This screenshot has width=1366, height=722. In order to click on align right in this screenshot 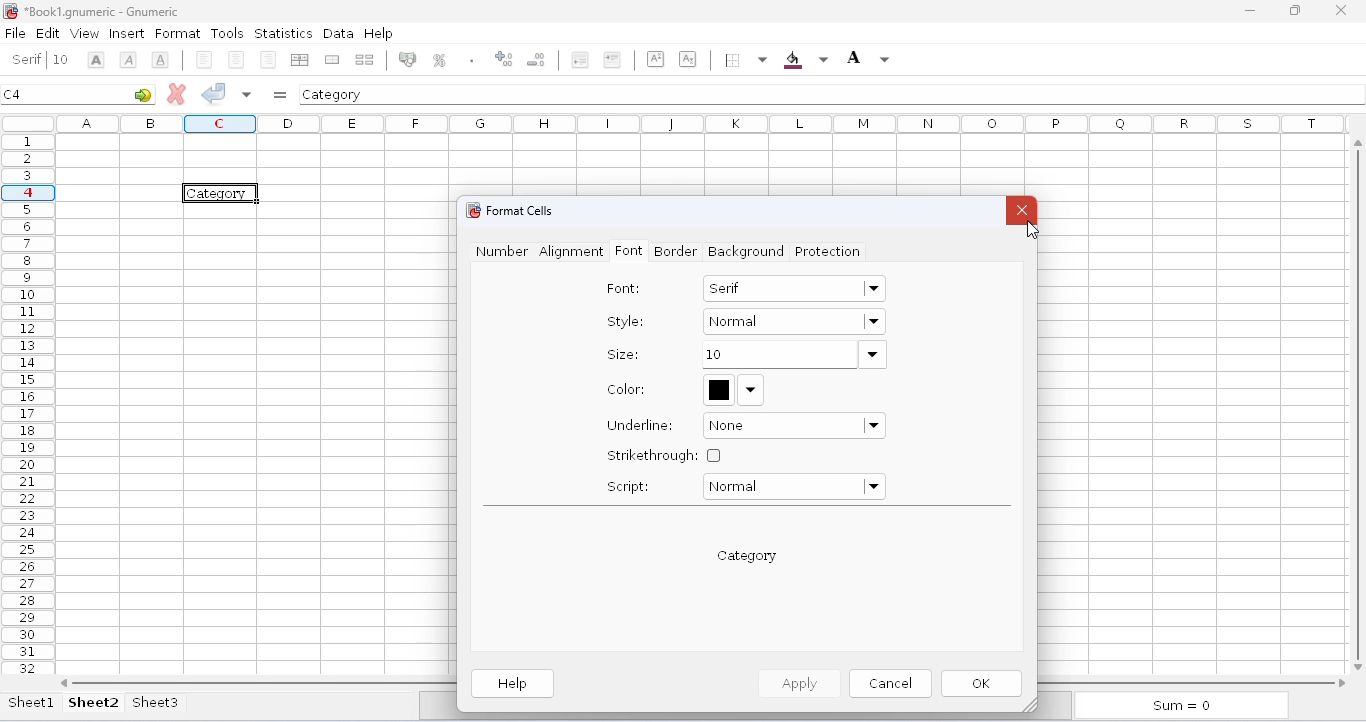, I will do `click(300, 58)`.